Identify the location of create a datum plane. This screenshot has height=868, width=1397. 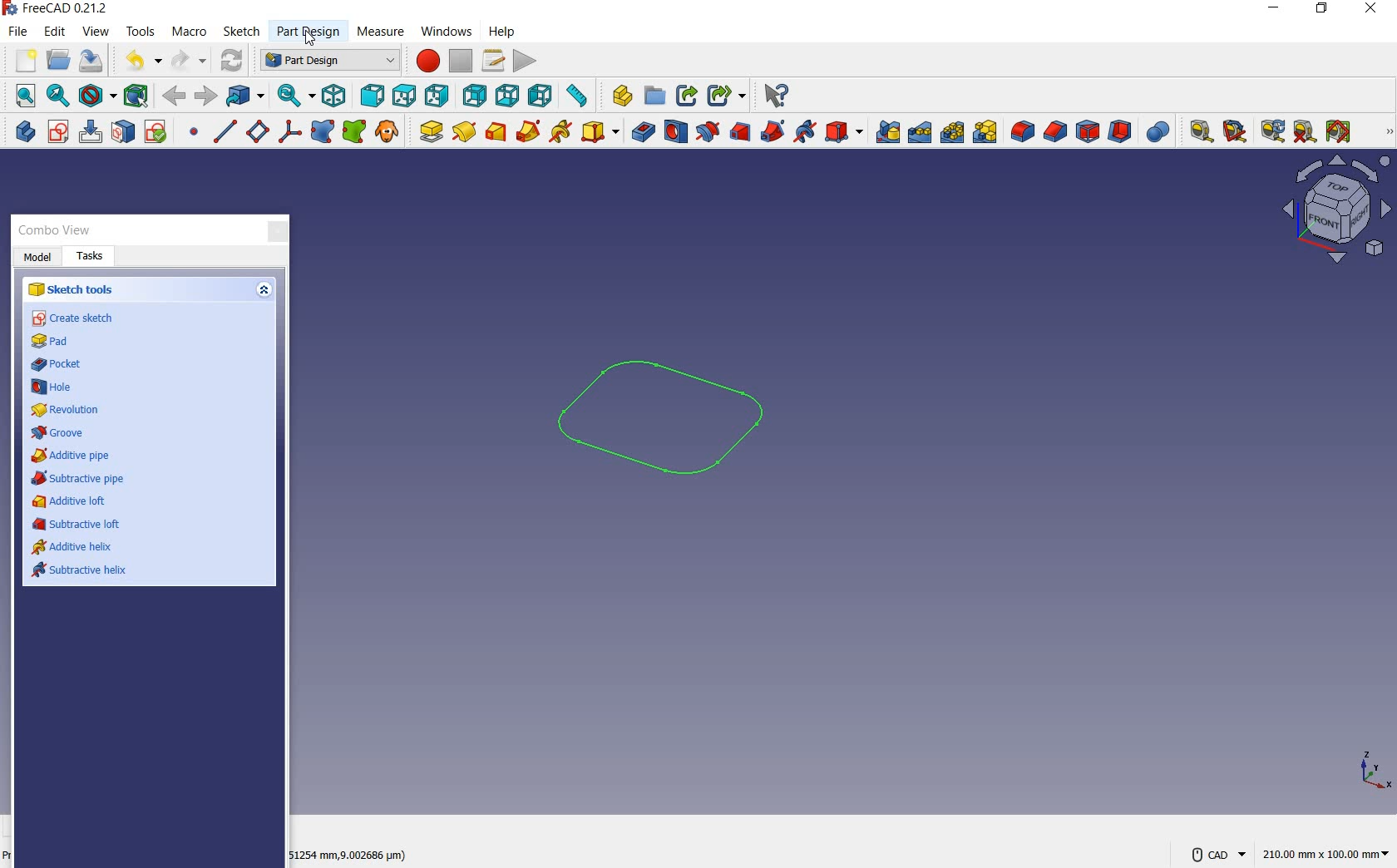
(258, 131).